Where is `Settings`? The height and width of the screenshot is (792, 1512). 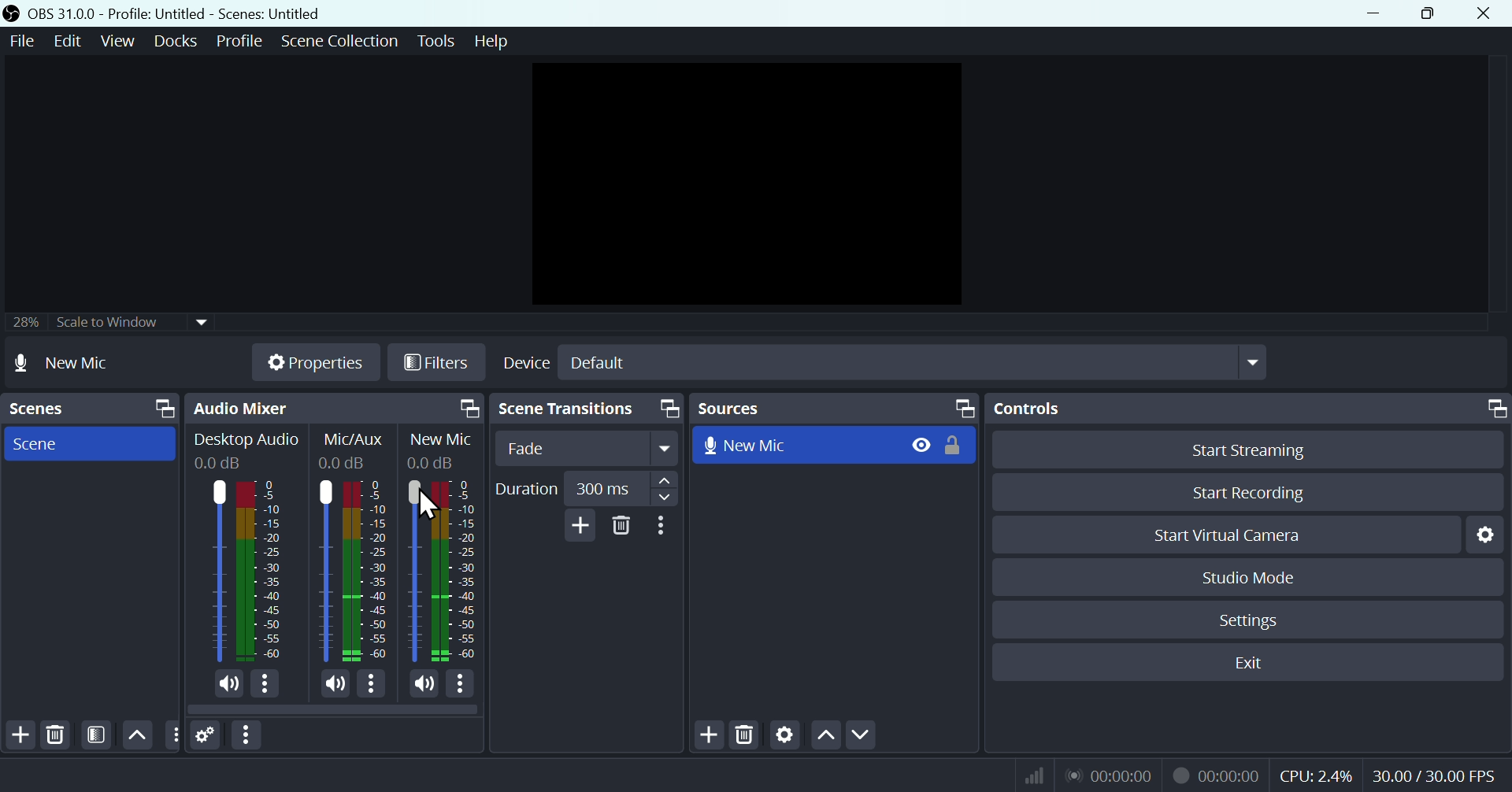 Settings is located at coordinates (785, 737).